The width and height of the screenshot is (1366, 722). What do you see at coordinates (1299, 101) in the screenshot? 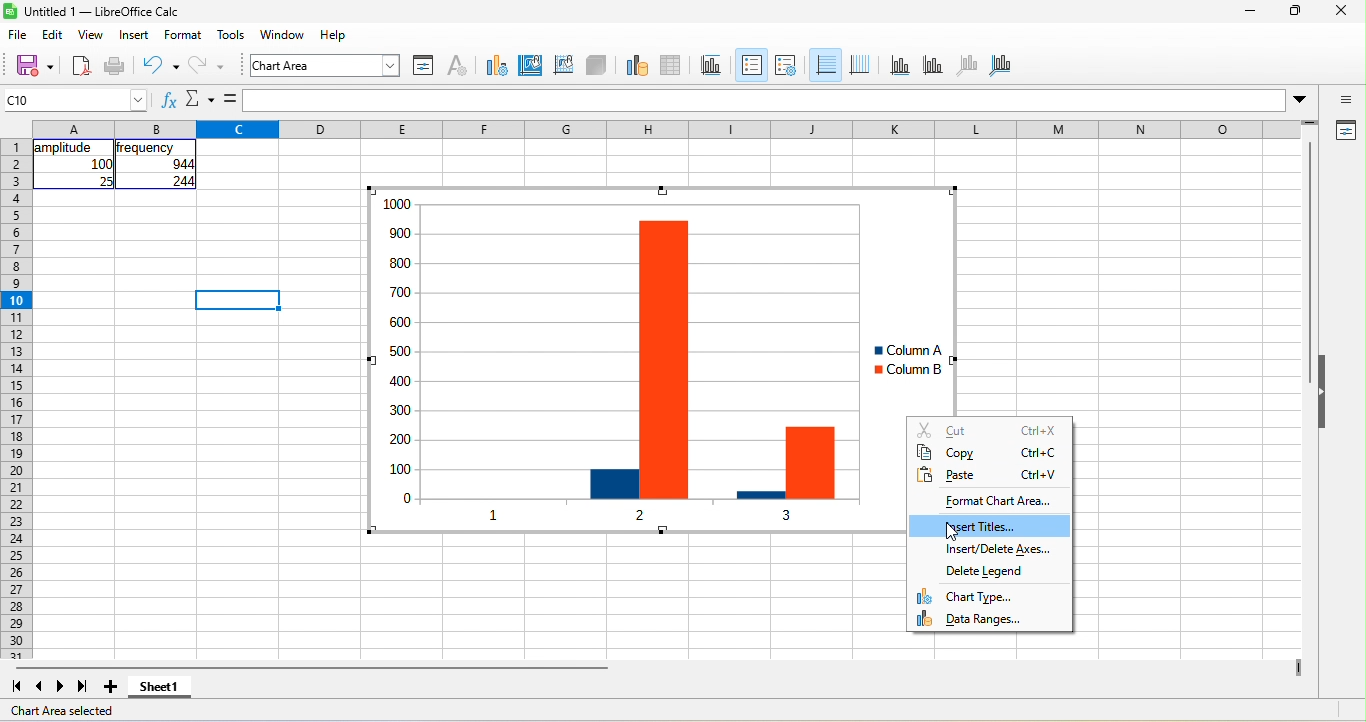
I see `More options` at bounding box center [1299, 101].